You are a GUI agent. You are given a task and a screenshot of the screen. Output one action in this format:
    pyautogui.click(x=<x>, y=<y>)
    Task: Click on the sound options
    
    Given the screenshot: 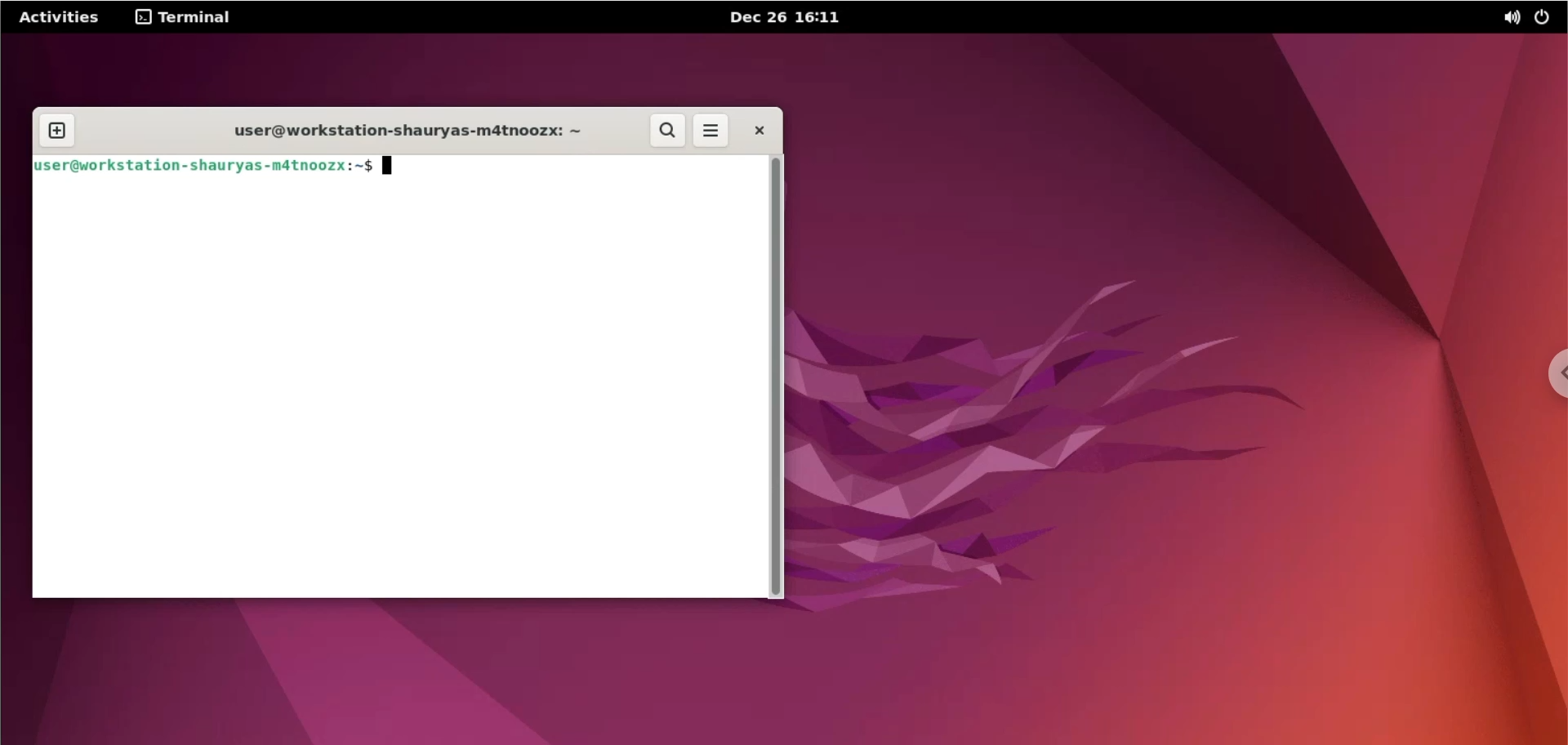 What is the action you would take?
    pyautogui.click(x=1508, y=20)
    